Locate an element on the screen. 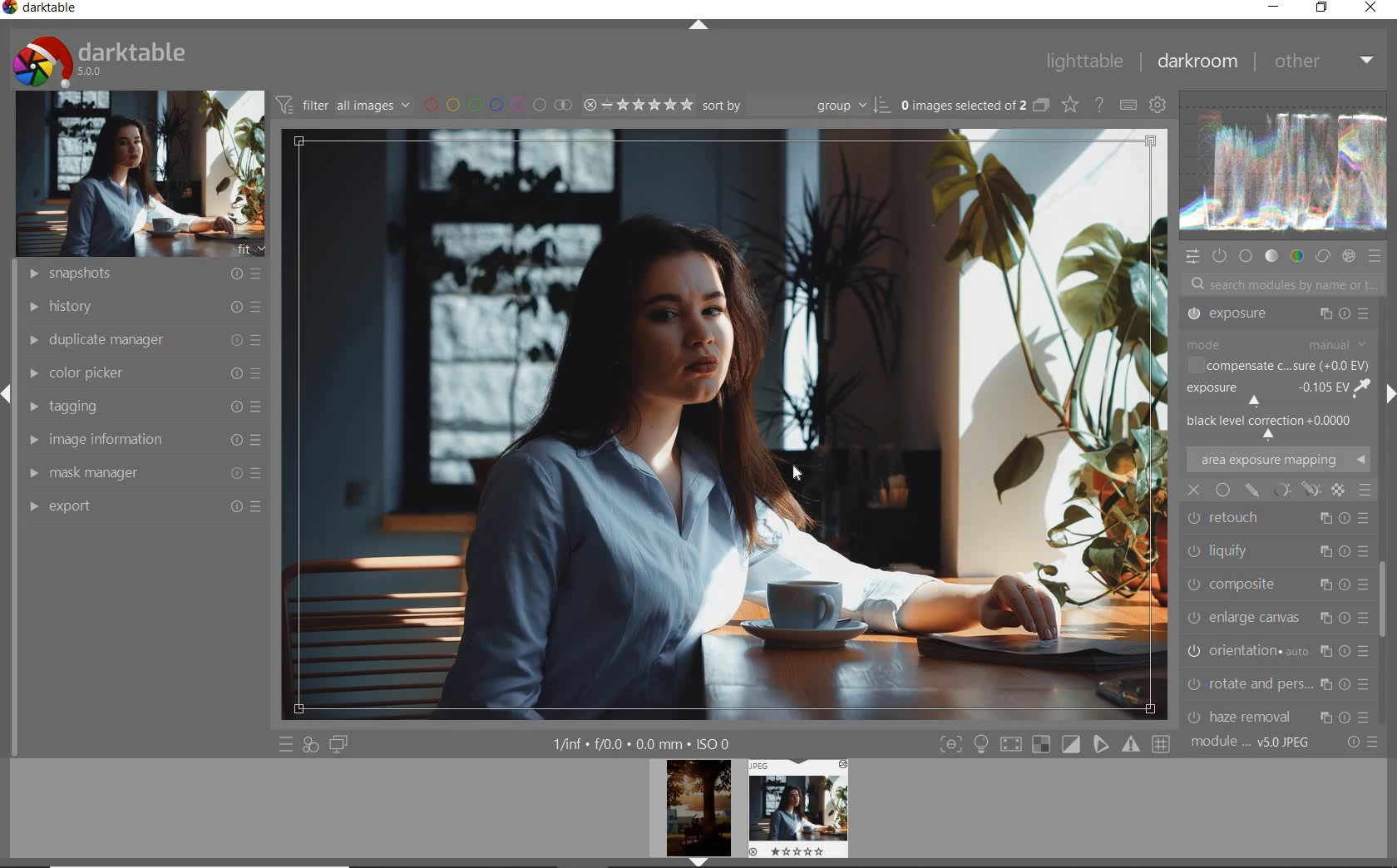 Image resolution: width=1397 pixels, height=868 pixels. OTHER is located at coordinates (1325, 64).